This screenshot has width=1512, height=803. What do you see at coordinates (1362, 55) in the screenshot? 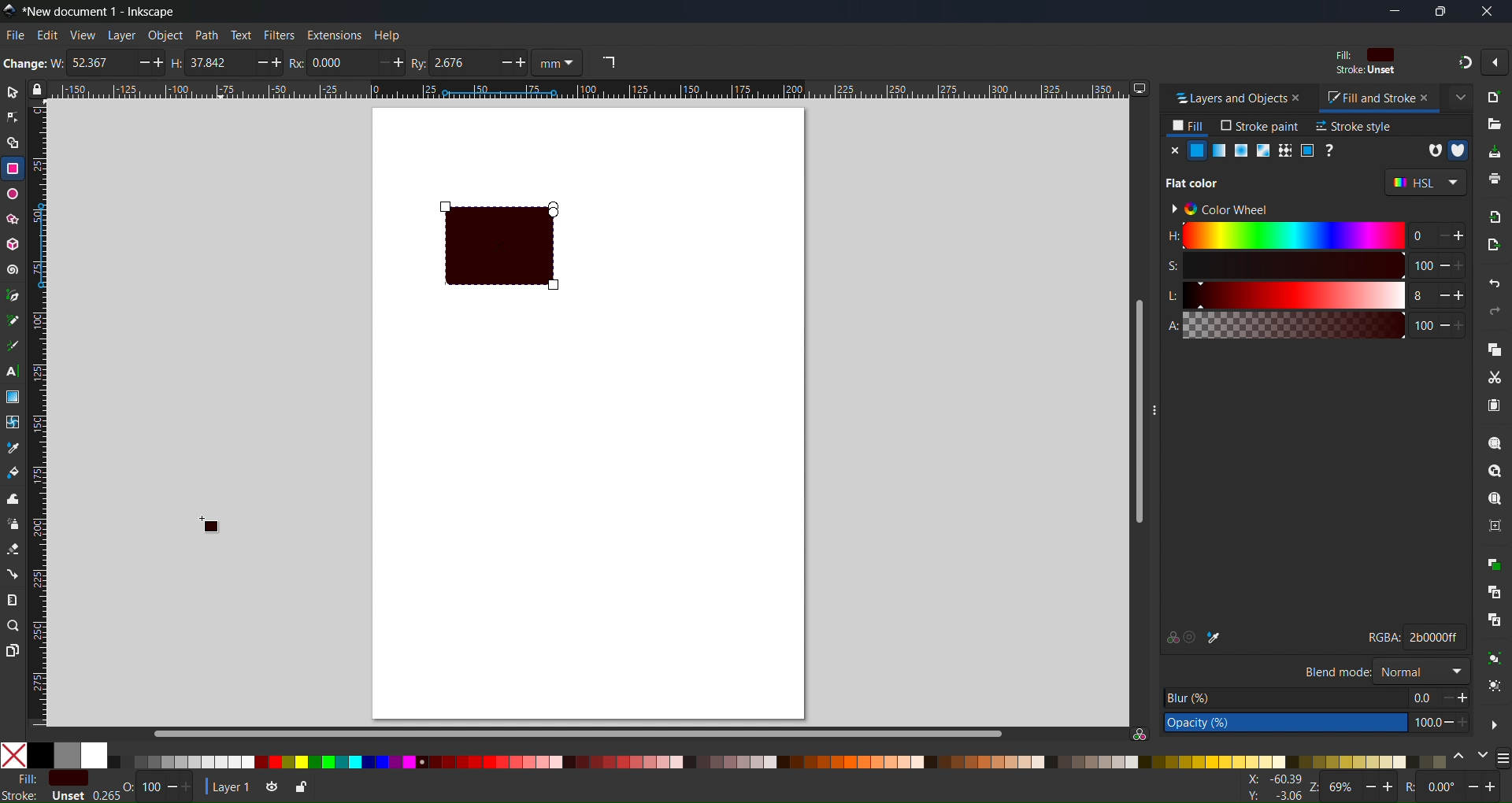
I see `Fill color` at bounding box center [1362, 55].